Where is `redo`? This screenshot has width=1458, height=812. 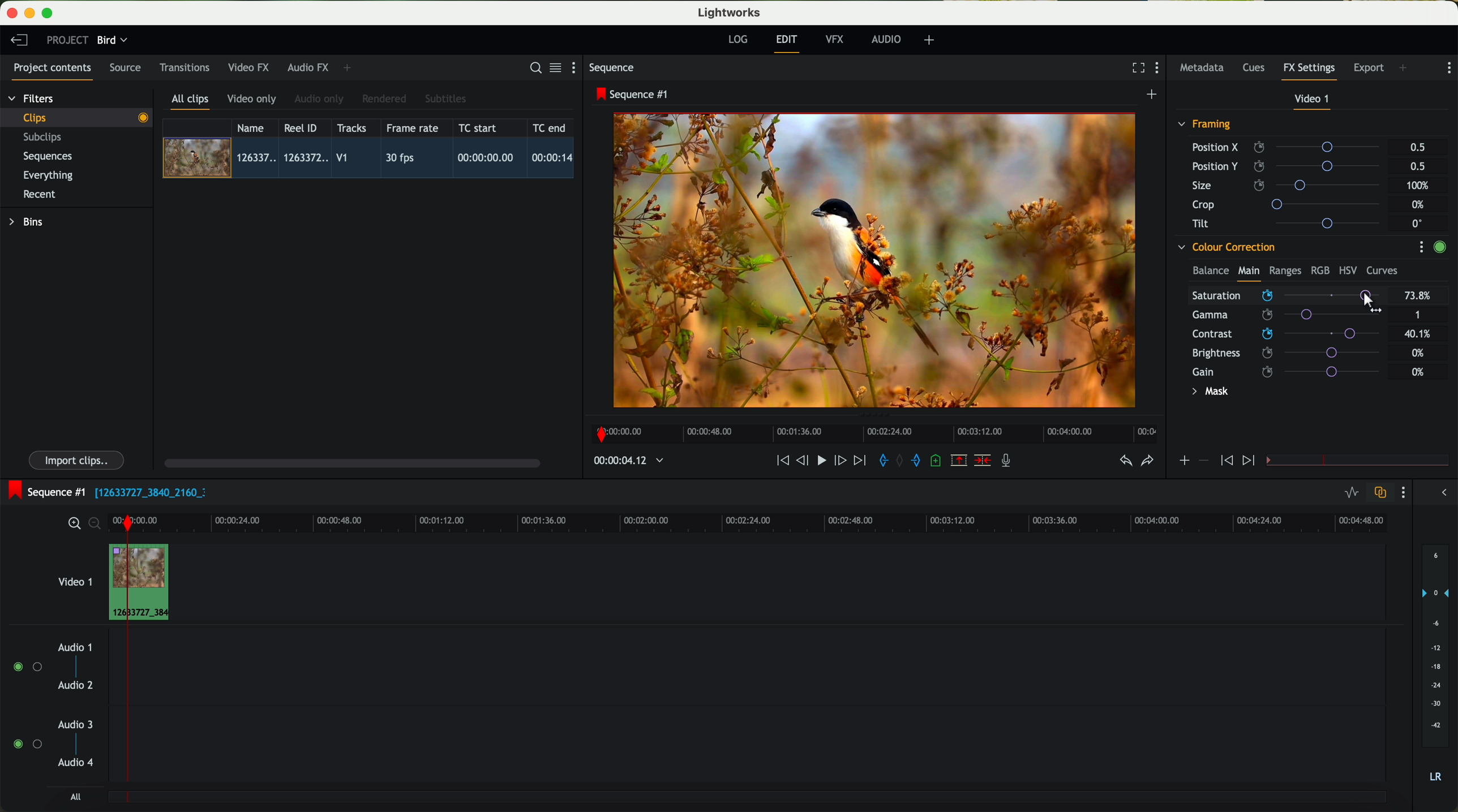
redo is located at coordinates (1147, 462).